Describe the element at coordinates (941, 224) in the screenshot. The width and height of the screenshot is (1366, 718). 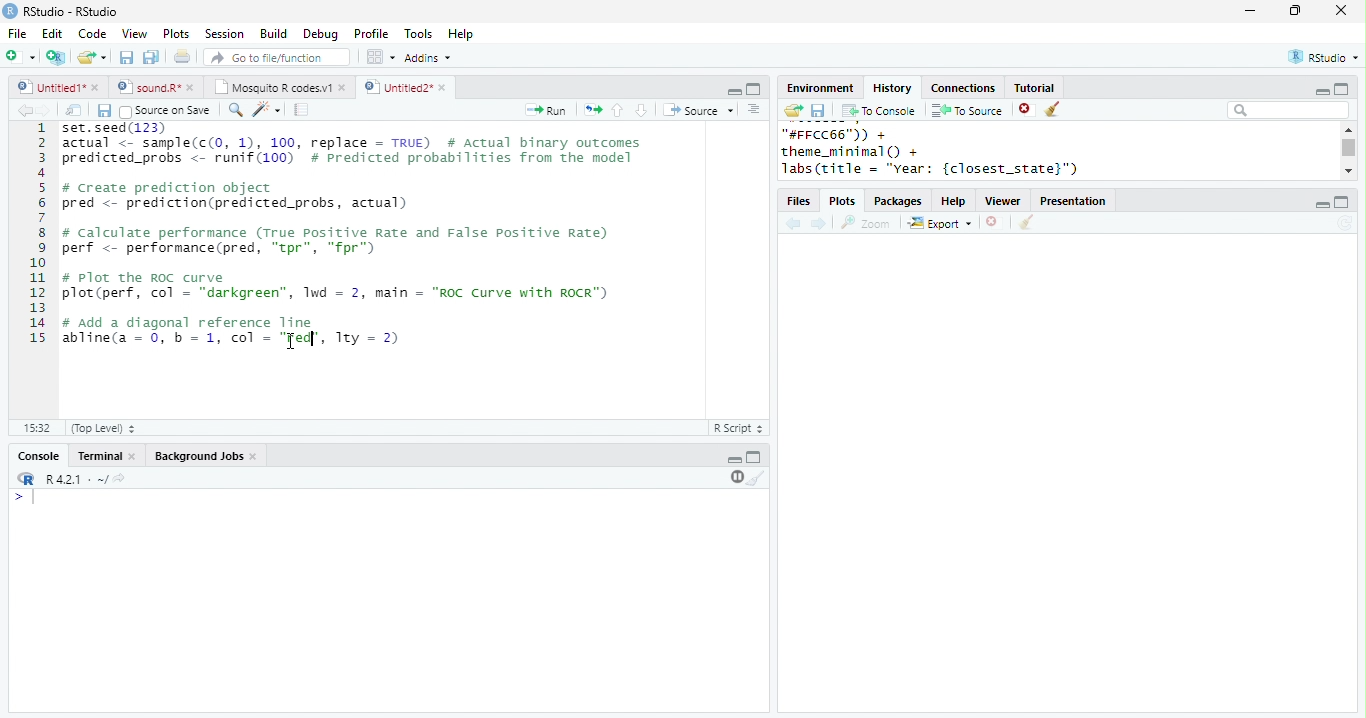
I see `Export` at that location.